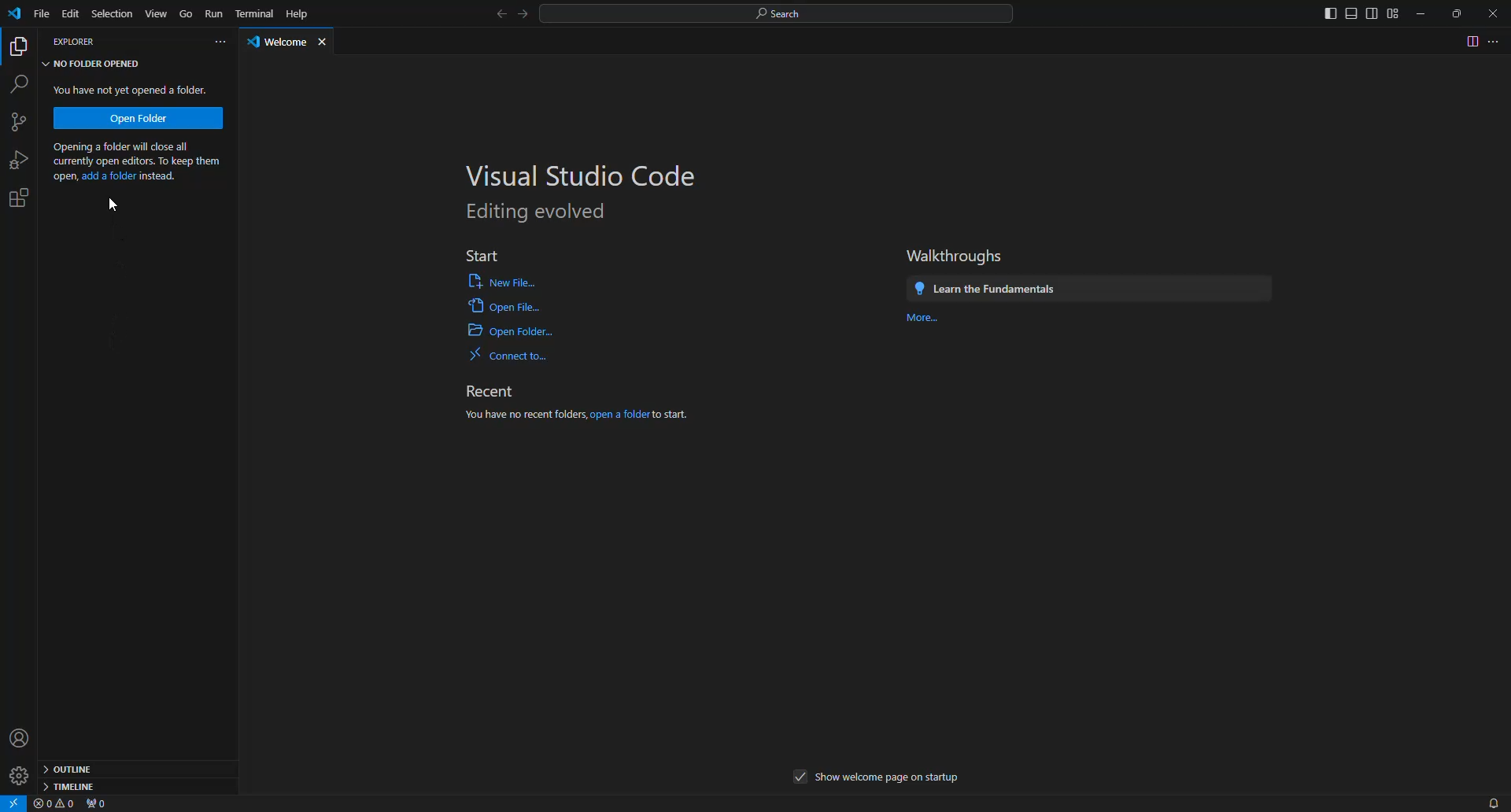 Image resolution: width=1511 pixels, height=812 pixels. What do you see at coordinates (503, 305) in the screenshot?
I see `open file` at bounding box center [503, 305].